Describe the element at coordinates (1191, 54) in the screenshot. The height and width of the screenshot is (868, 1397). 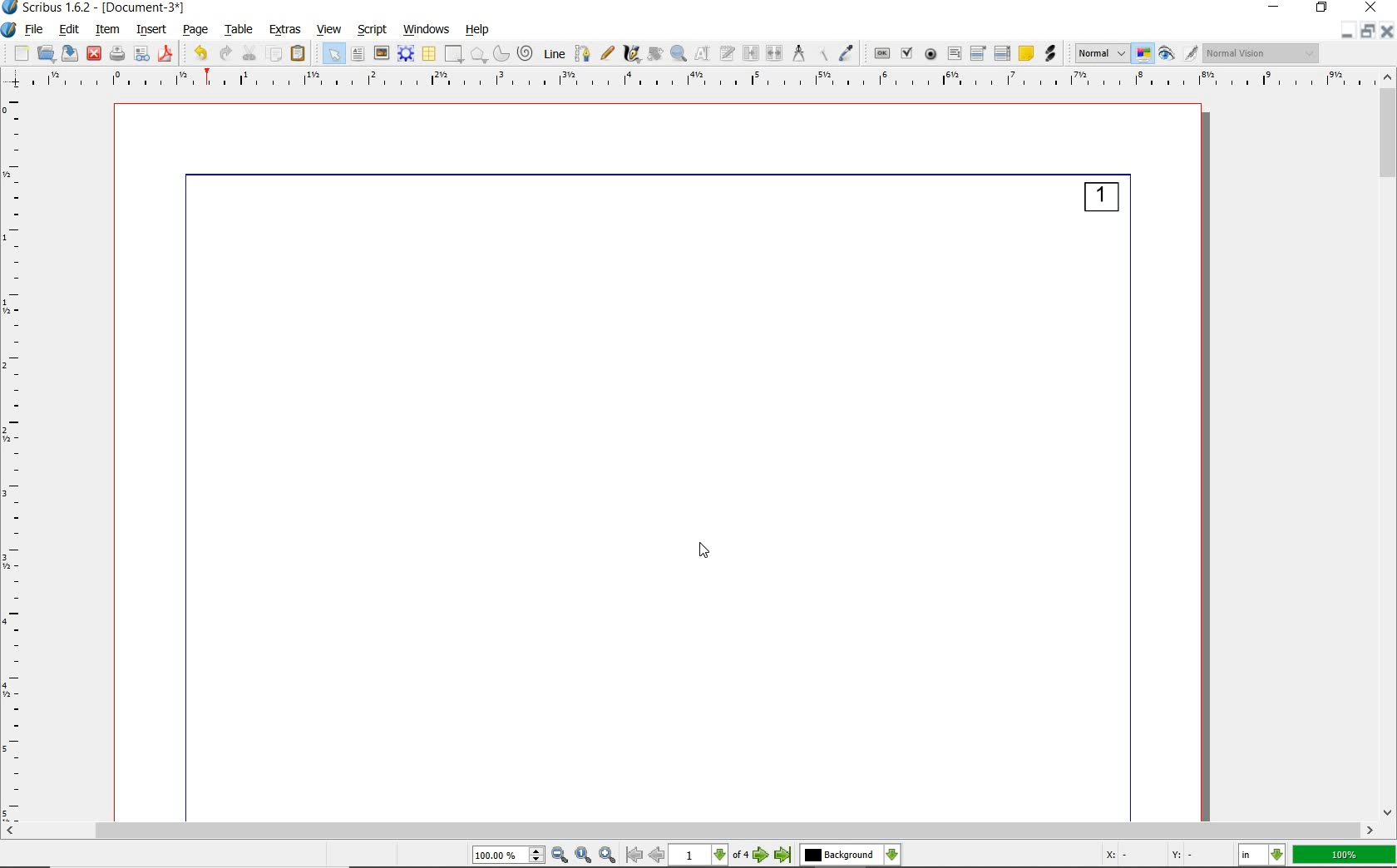
I see `Edit in preview mode` at that location.